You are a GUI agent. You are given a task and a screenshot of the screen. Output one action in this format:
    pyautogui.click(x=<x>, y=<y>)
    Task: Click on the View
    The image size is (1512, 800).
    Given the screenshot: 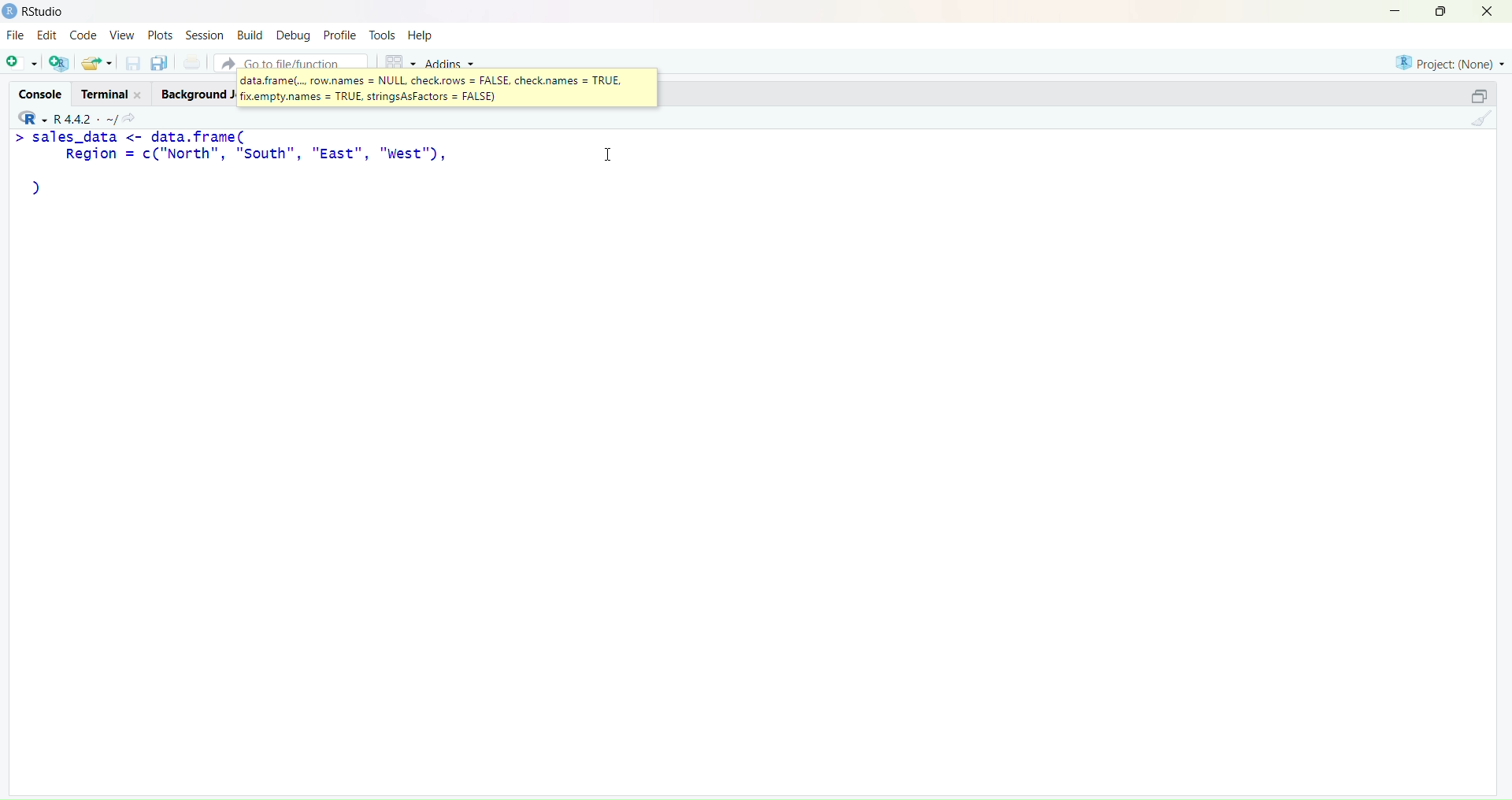 What is the action you would take?
    pyautogui.click(x=124, y=36)
    